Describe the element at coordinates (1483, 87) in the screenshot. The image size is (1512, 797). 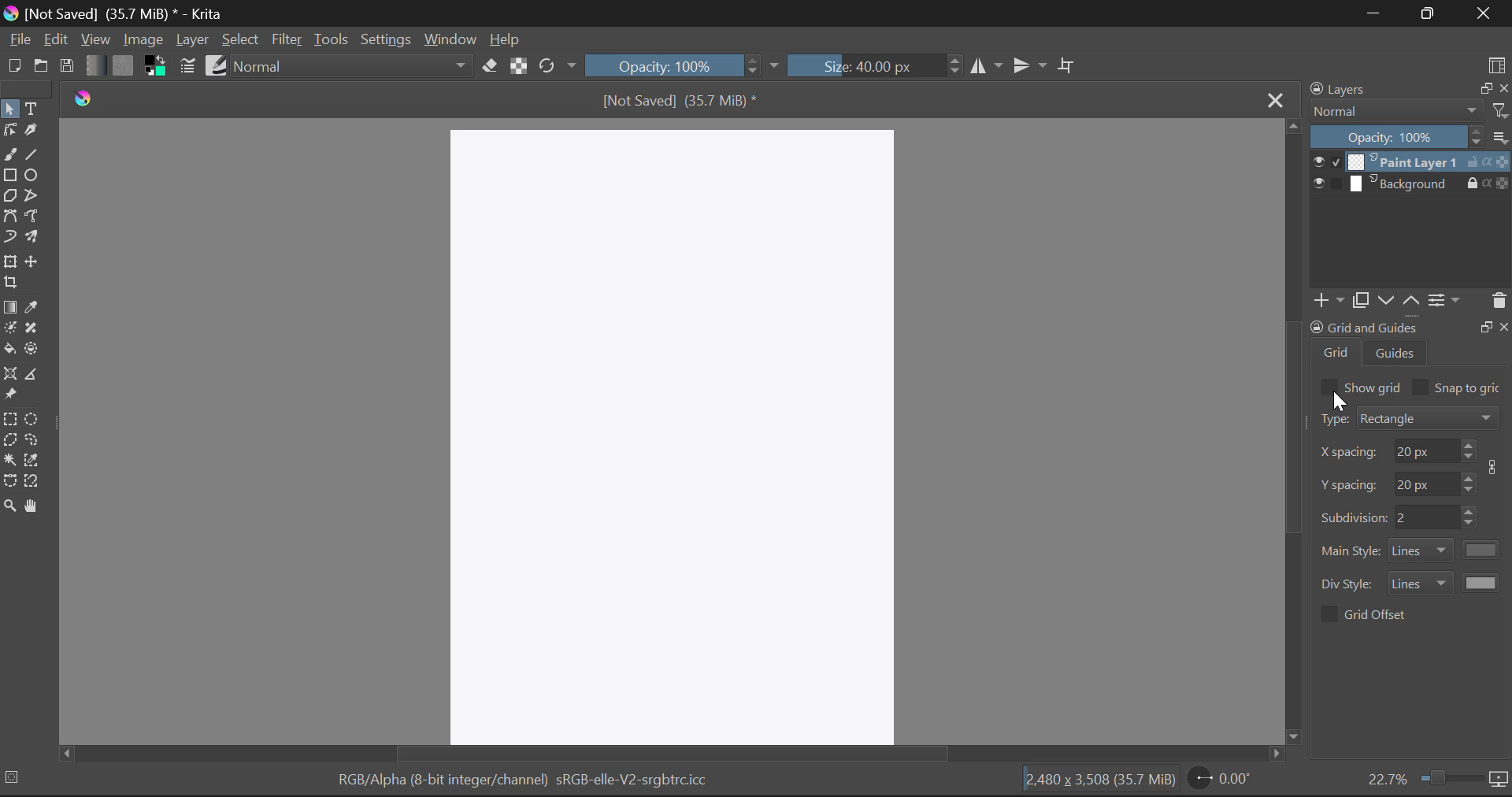
I see `copy` at that location.